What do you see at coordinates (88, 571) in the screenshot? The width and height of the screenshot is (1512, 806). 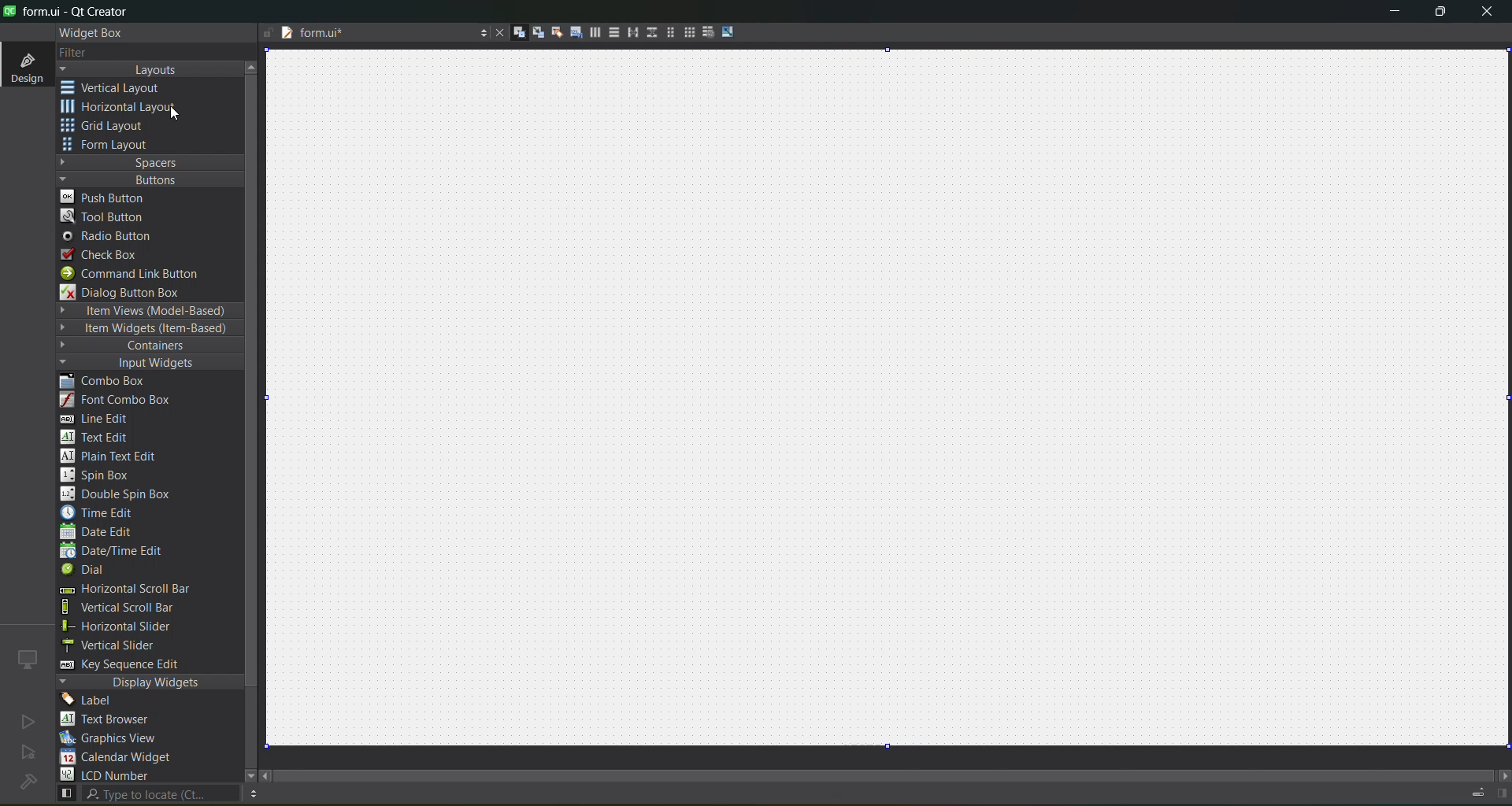 I see `dial` at bounding box center [88, 571].